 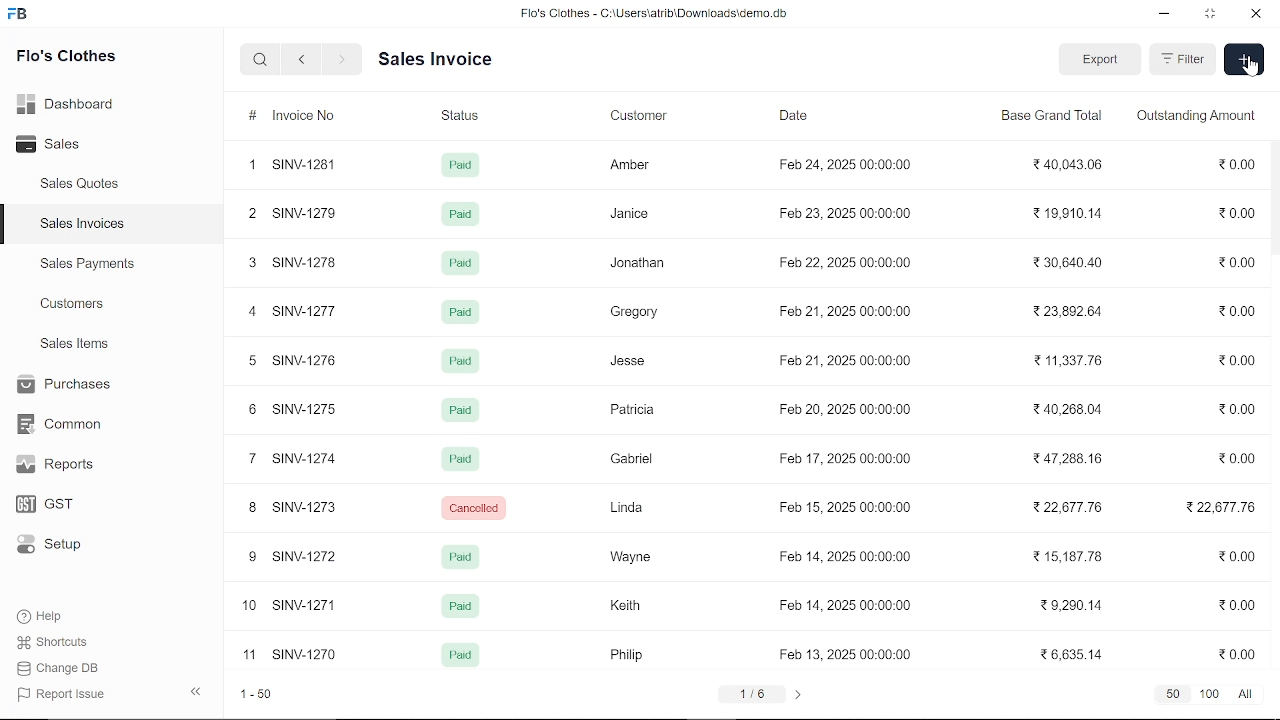 I want to click on Outstanding Amount, so click(x=1195, y=116).